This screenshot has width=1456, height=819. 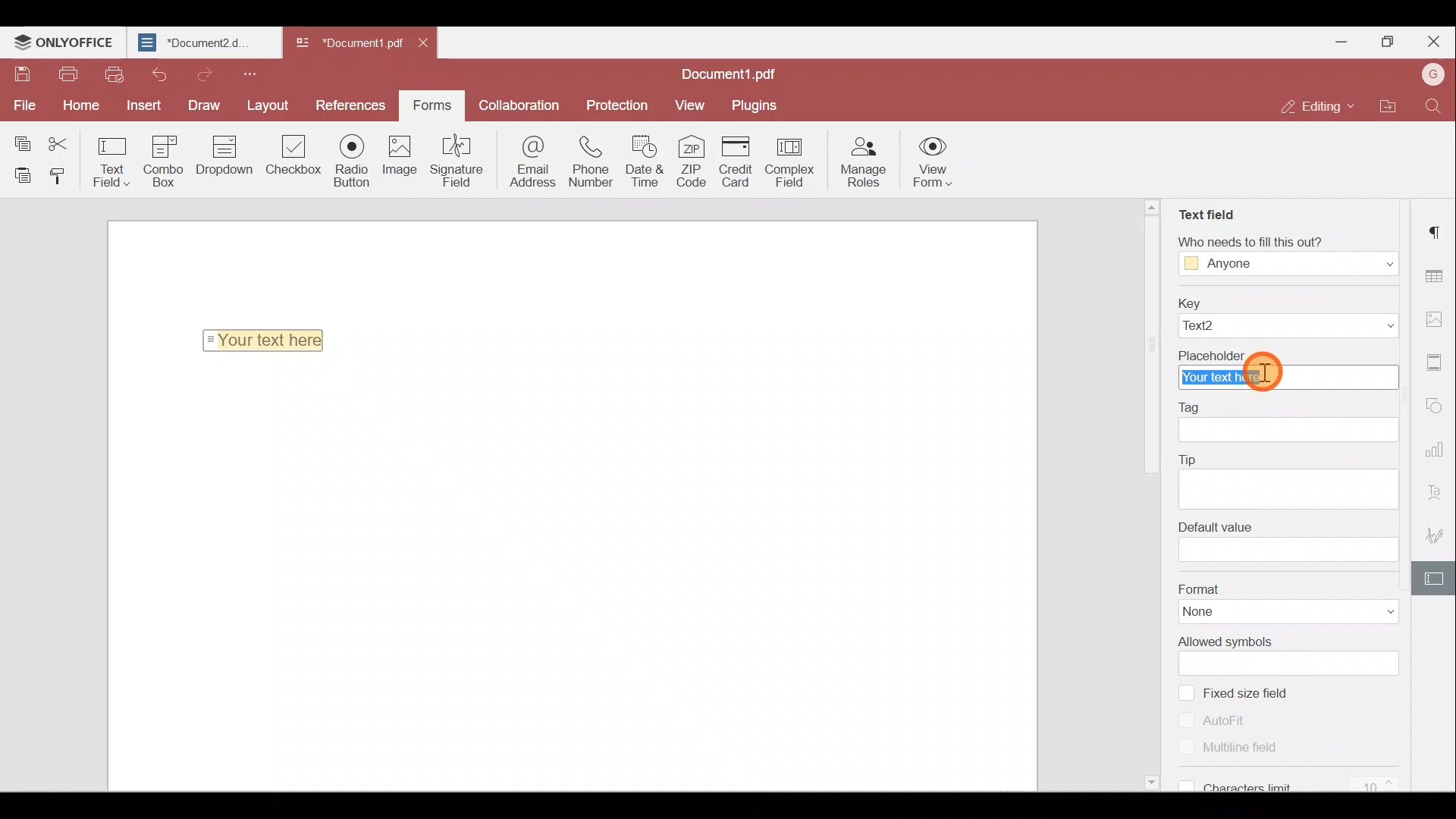 What do you see at coordinates (431, 103) in the screenshot?
I see `Form` at bounding box center [431, 103].